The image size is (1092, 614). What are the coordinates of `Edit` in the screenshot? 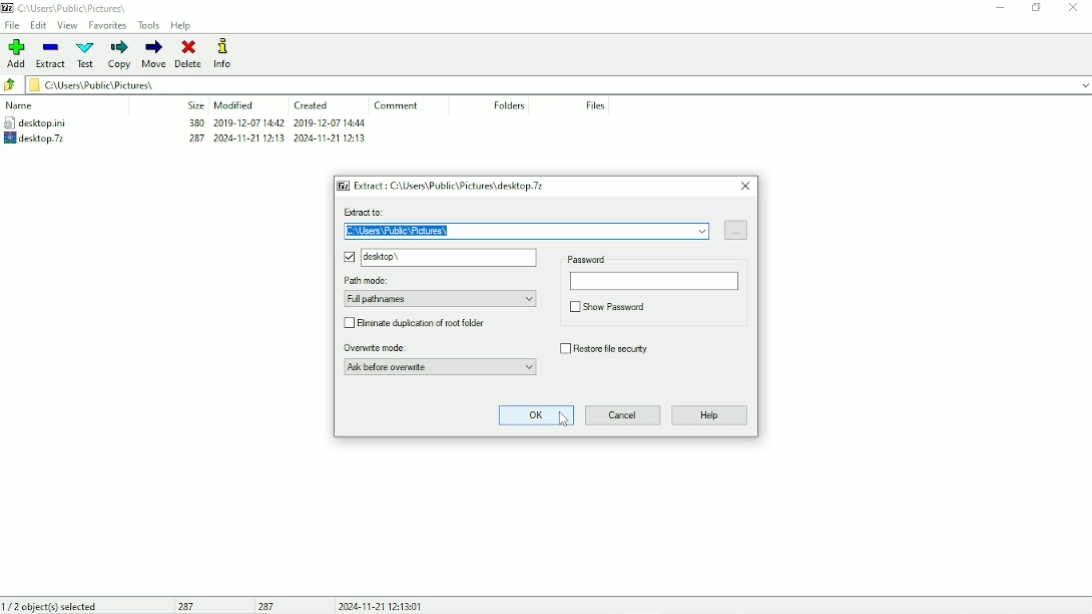 It's located at (39, 25).